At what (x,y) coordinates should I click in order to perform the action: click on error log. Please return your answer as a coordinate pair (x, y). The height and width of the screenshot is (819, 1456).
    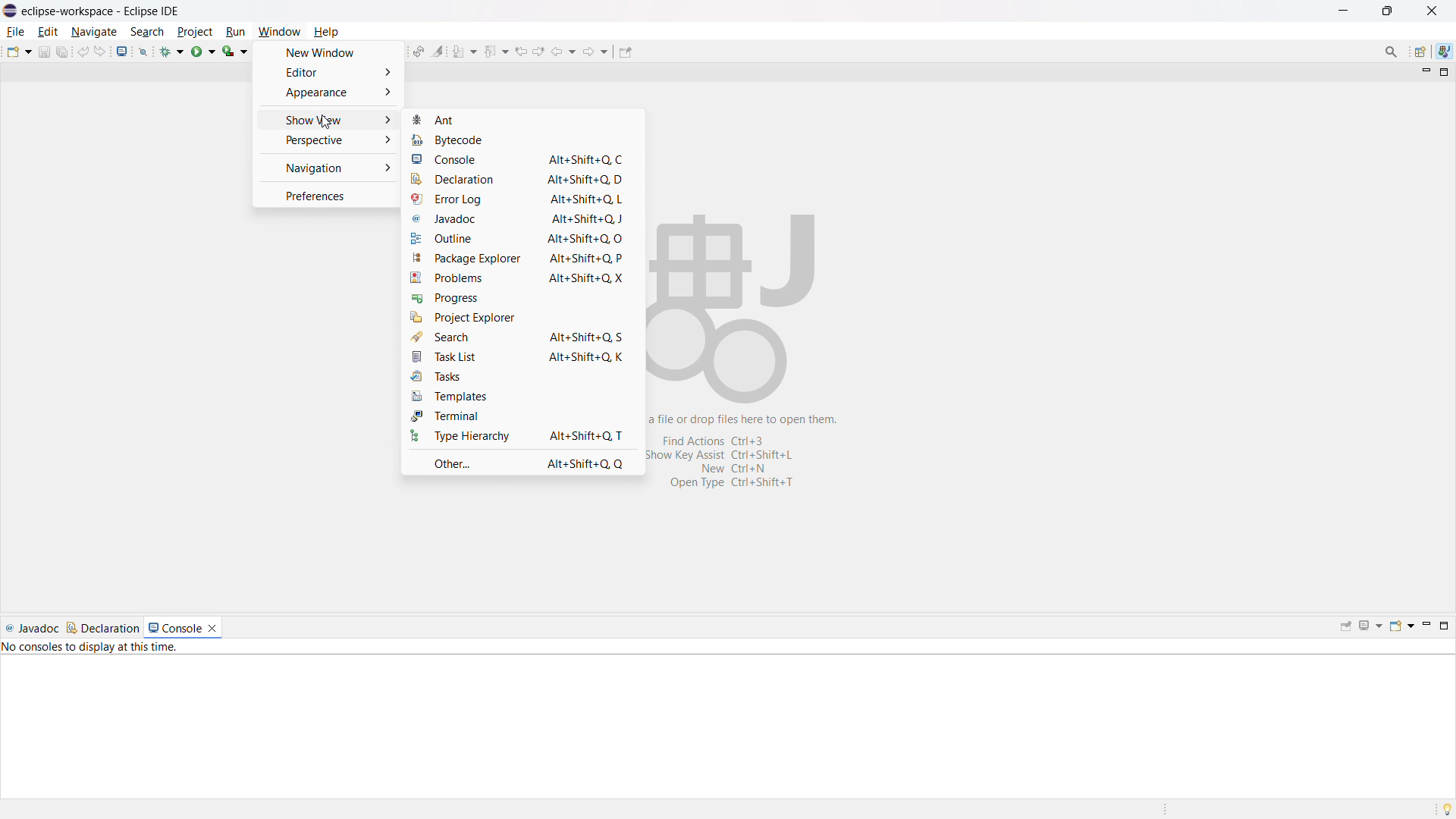
    Looking at the image, I should click on (522, 198).